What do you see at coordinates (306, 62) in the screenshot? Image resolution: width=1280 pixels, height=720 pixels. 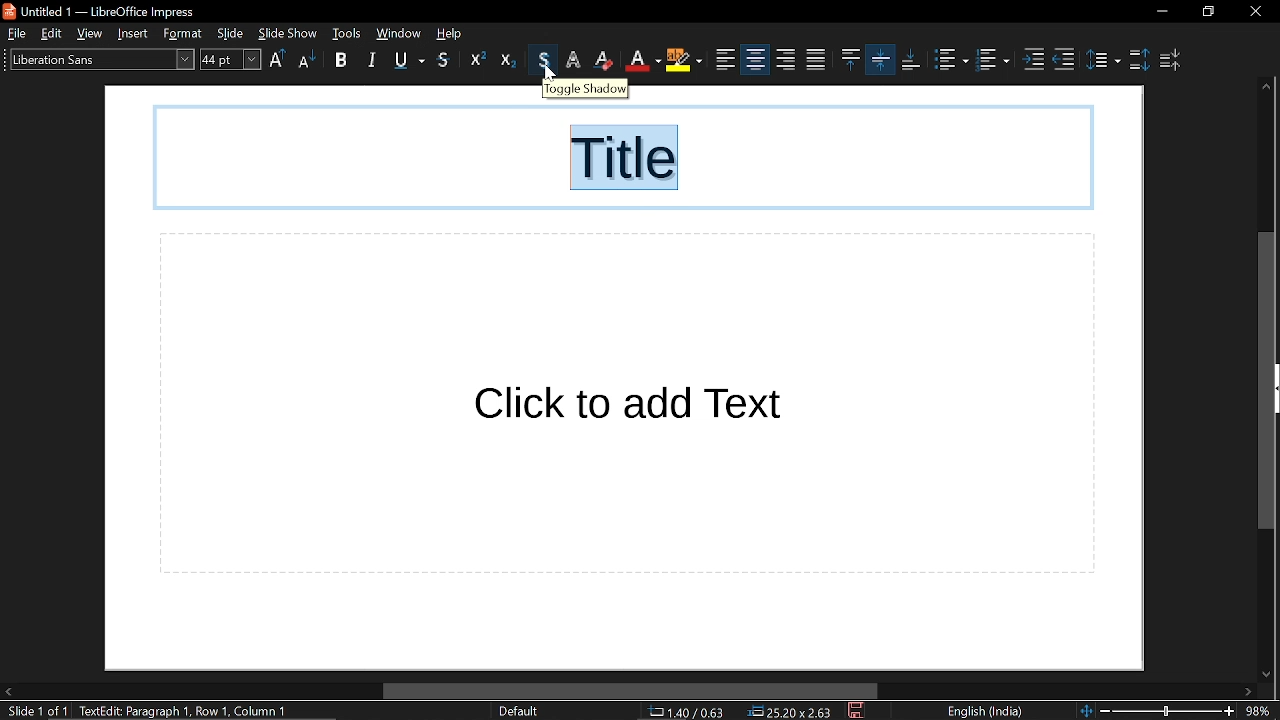 I see `lowercase` at bounding box center [306, 62].